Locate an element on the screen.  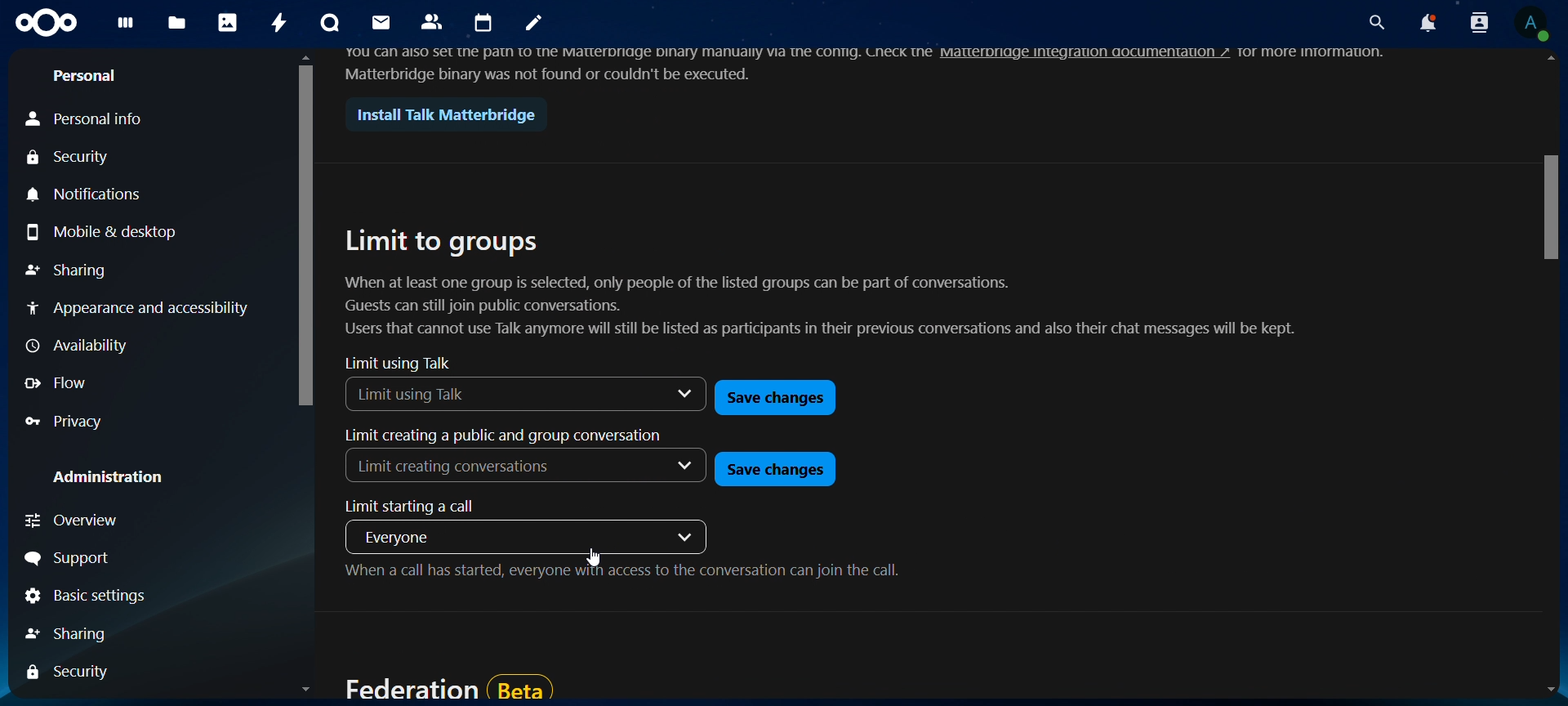
personal is located at coordinates (87, 75).